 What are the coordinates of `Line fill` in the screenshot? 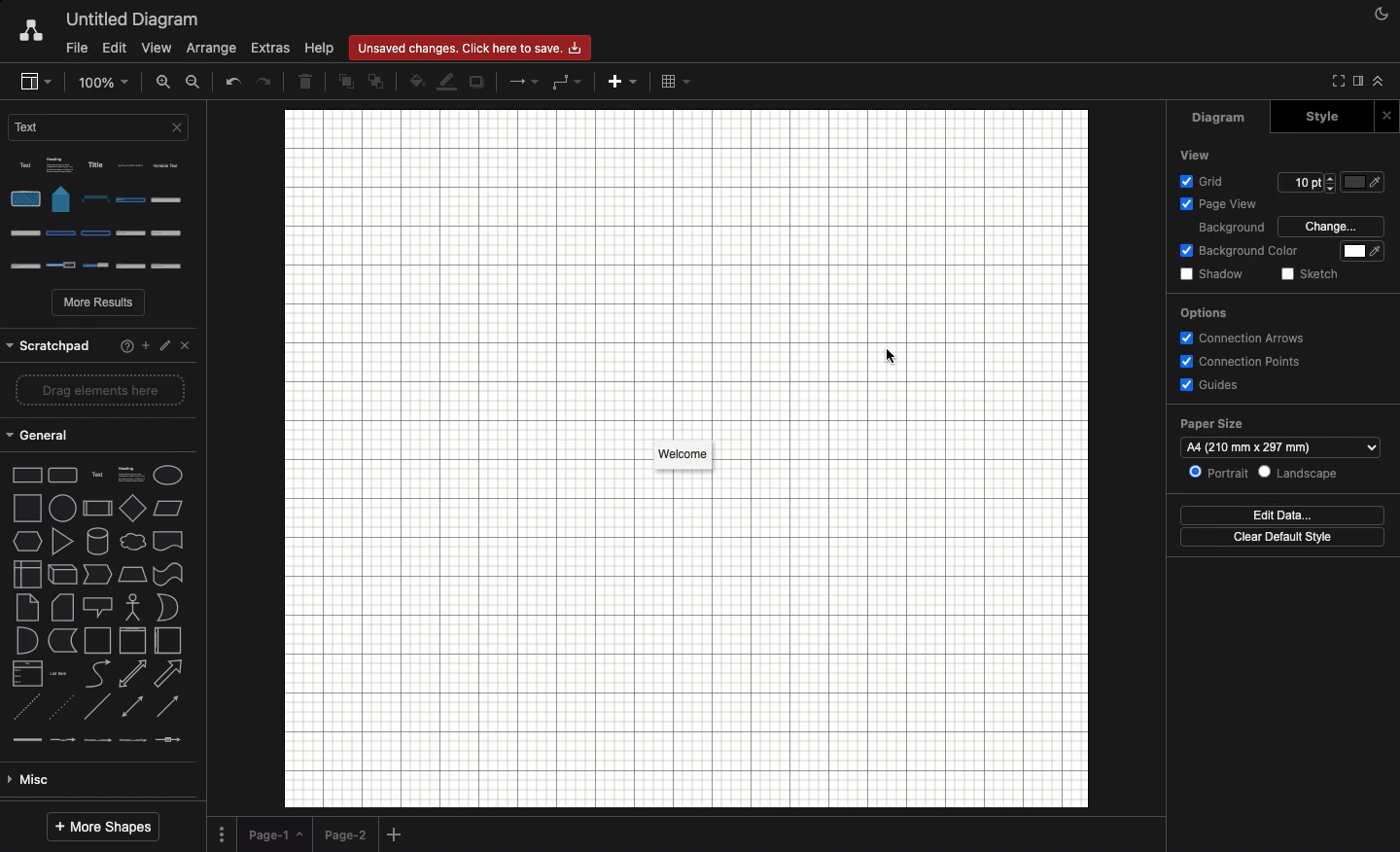 It's located at (448, 81).